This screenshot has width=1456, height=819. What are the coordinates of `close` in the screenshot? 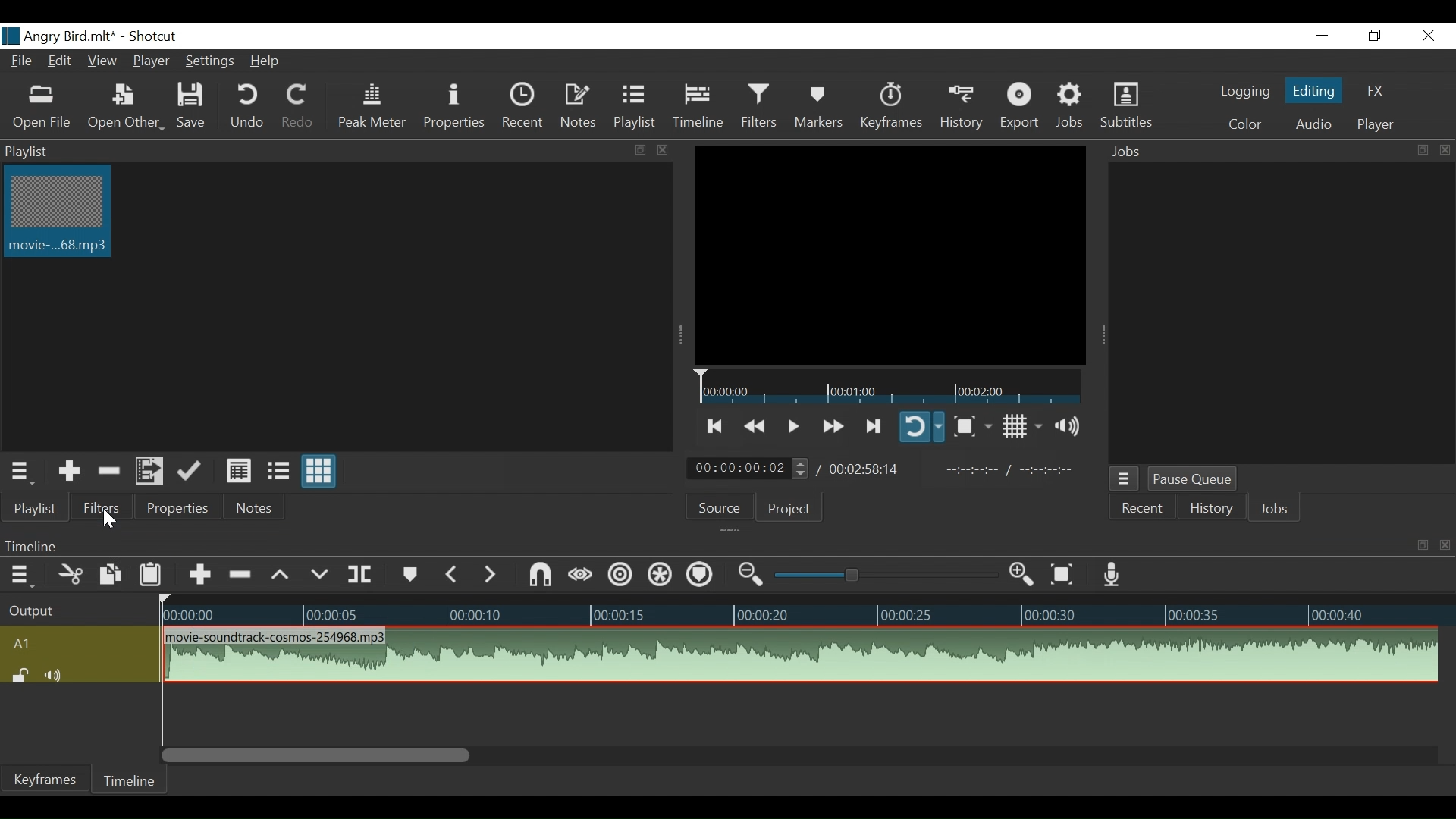 It's located at (660, 149).